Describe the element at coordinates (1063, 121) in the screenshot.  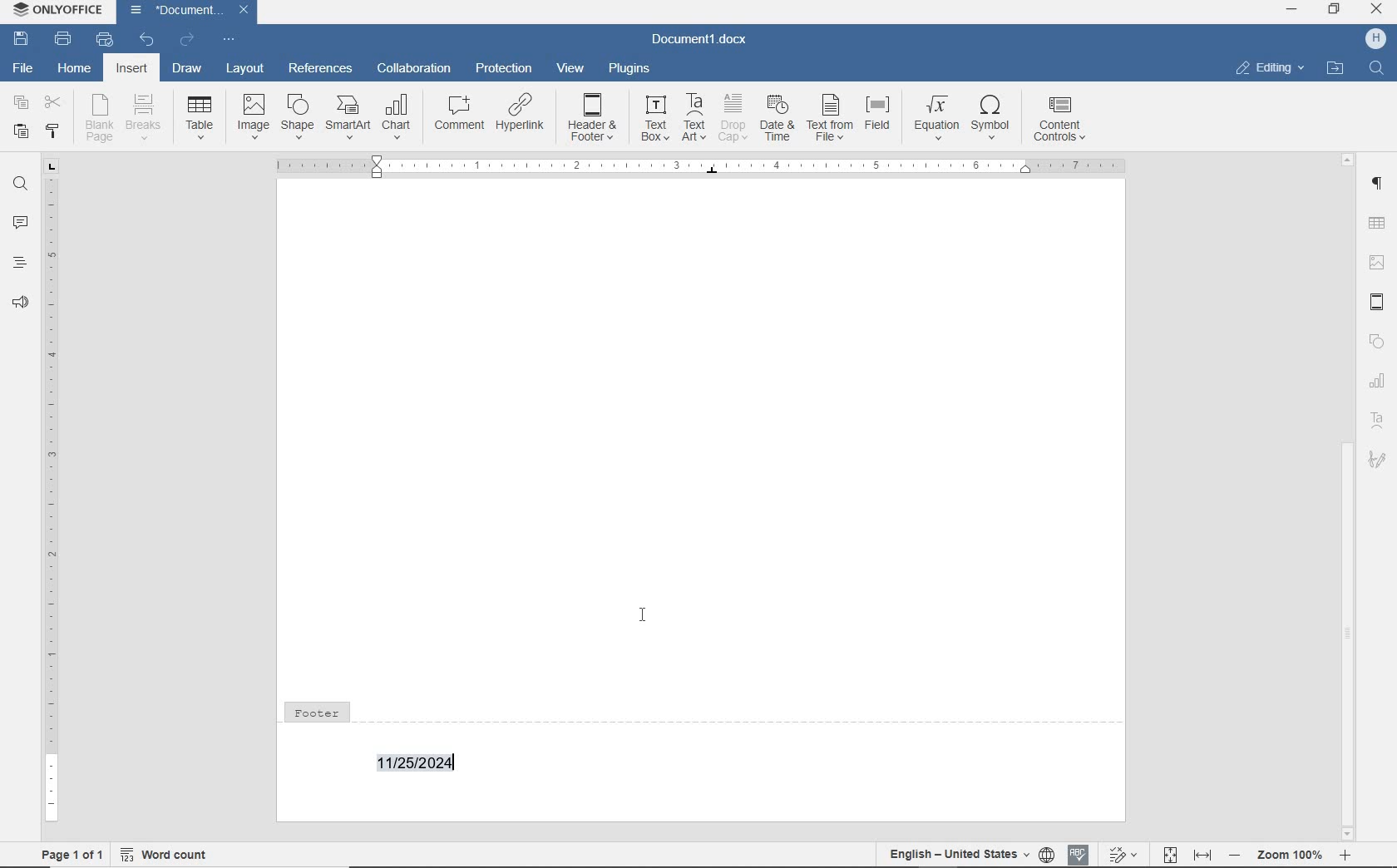
I see `content controls` at that location.